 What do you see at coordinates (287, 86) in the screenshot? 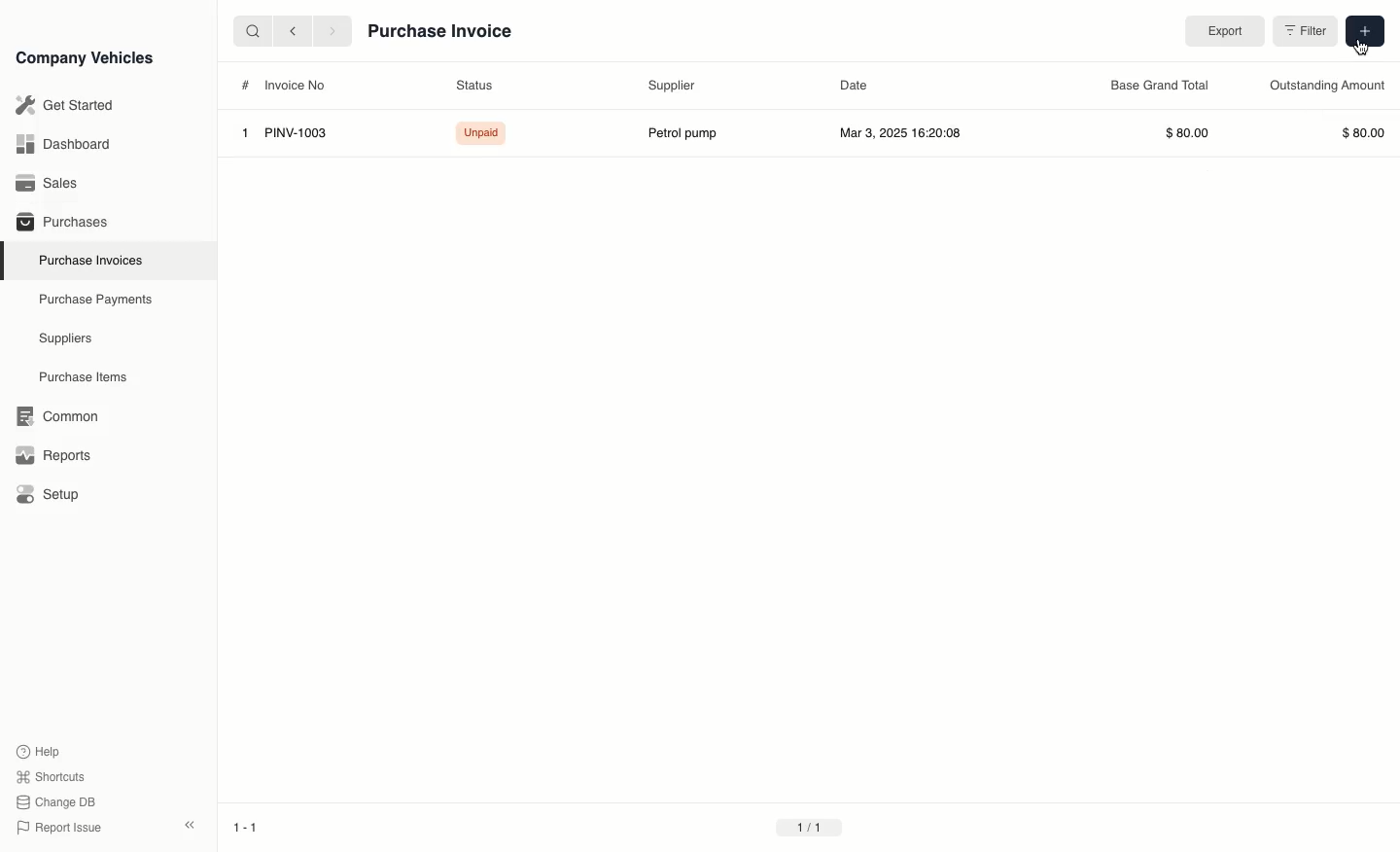
I see `#   Invoice No` at bounding box center [287, 86].